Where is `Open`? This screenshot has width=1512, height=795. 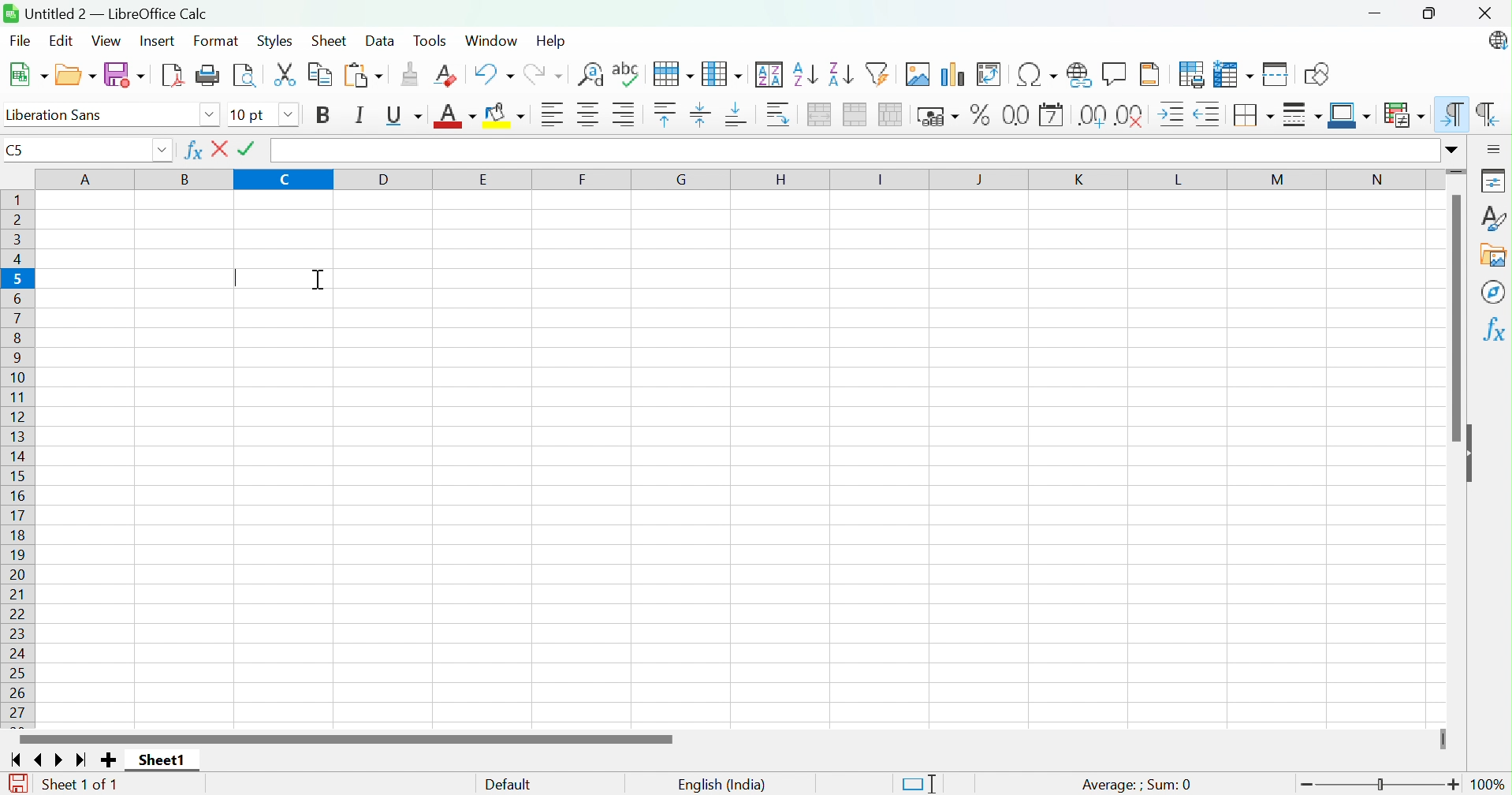
Open is located at coordinates (76, 74).